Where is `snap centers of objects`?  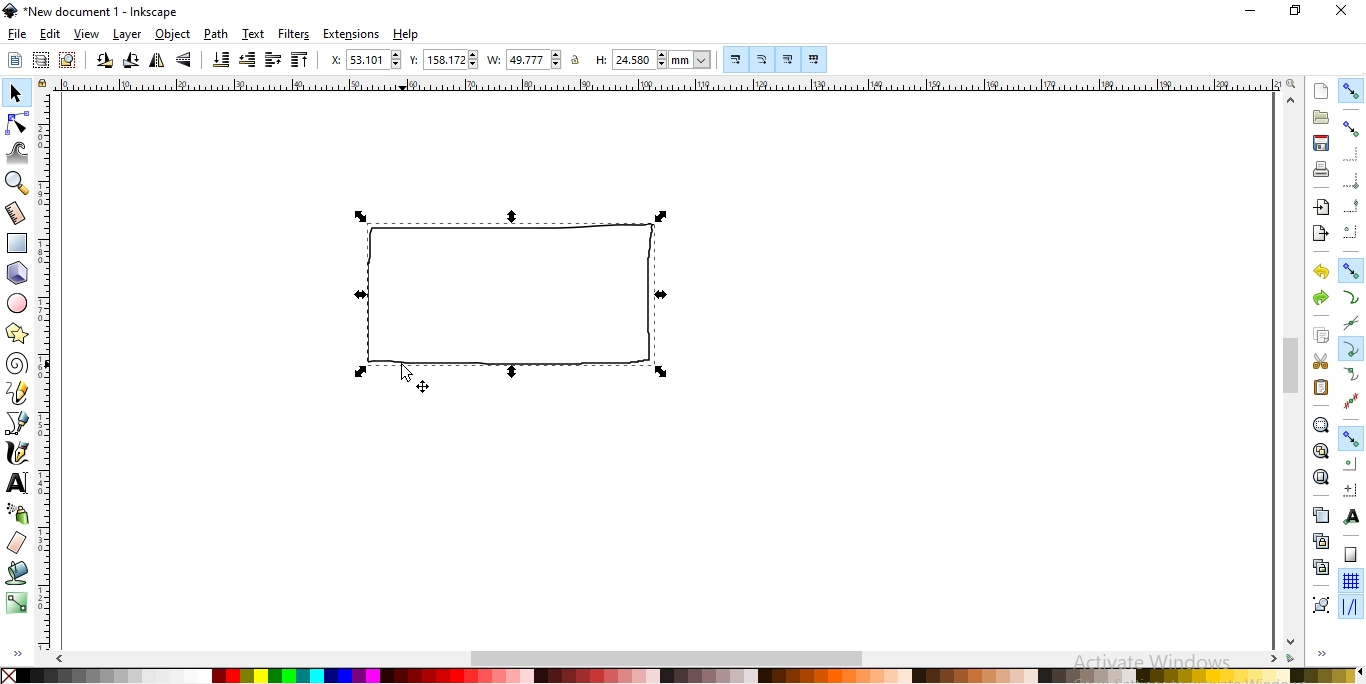
snap centers of objects is located at coordinates (1351, 464).